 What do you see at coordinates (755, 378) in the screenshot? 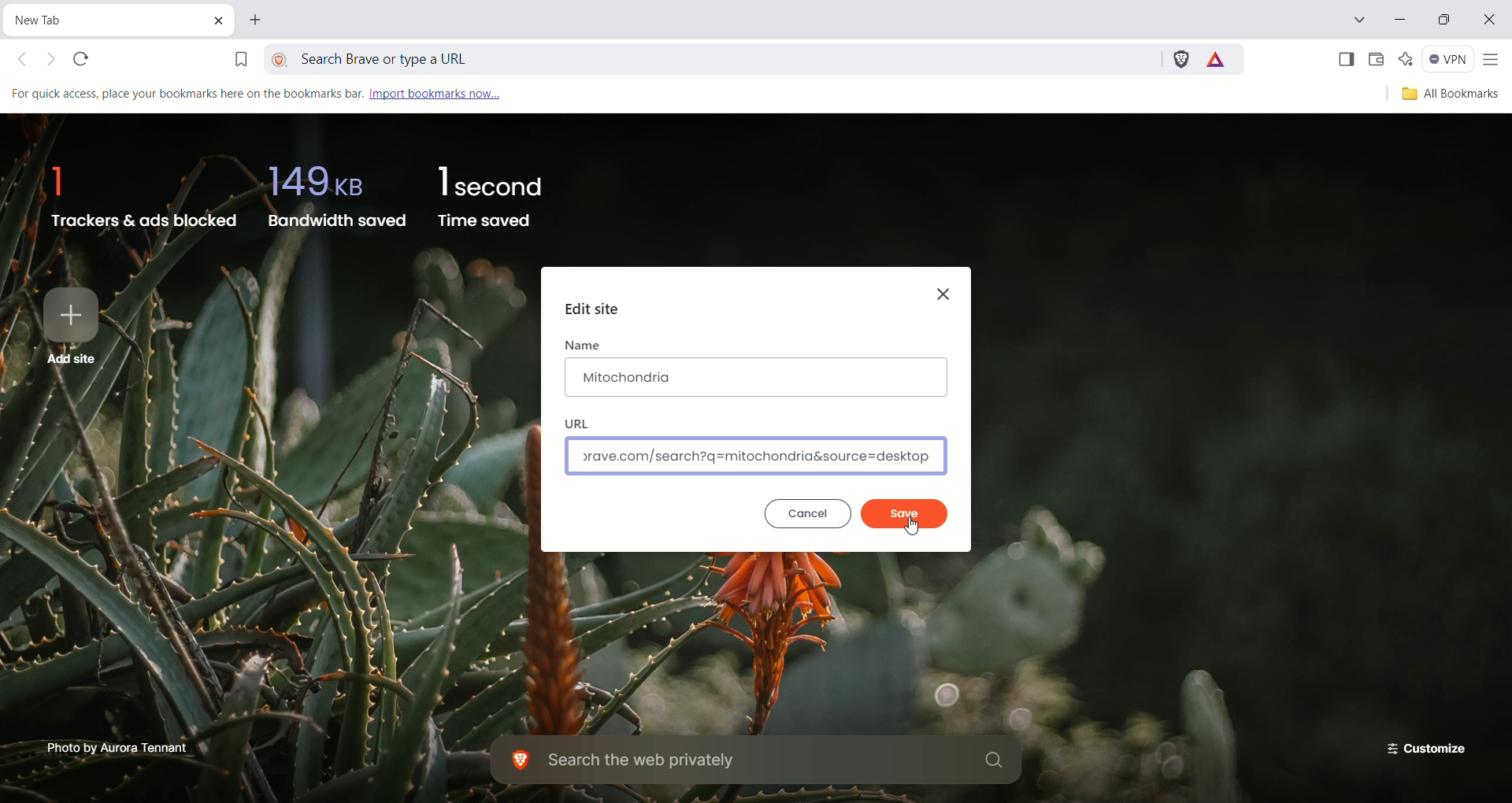
I see `mitochondria` at bounding box center [755, 378].